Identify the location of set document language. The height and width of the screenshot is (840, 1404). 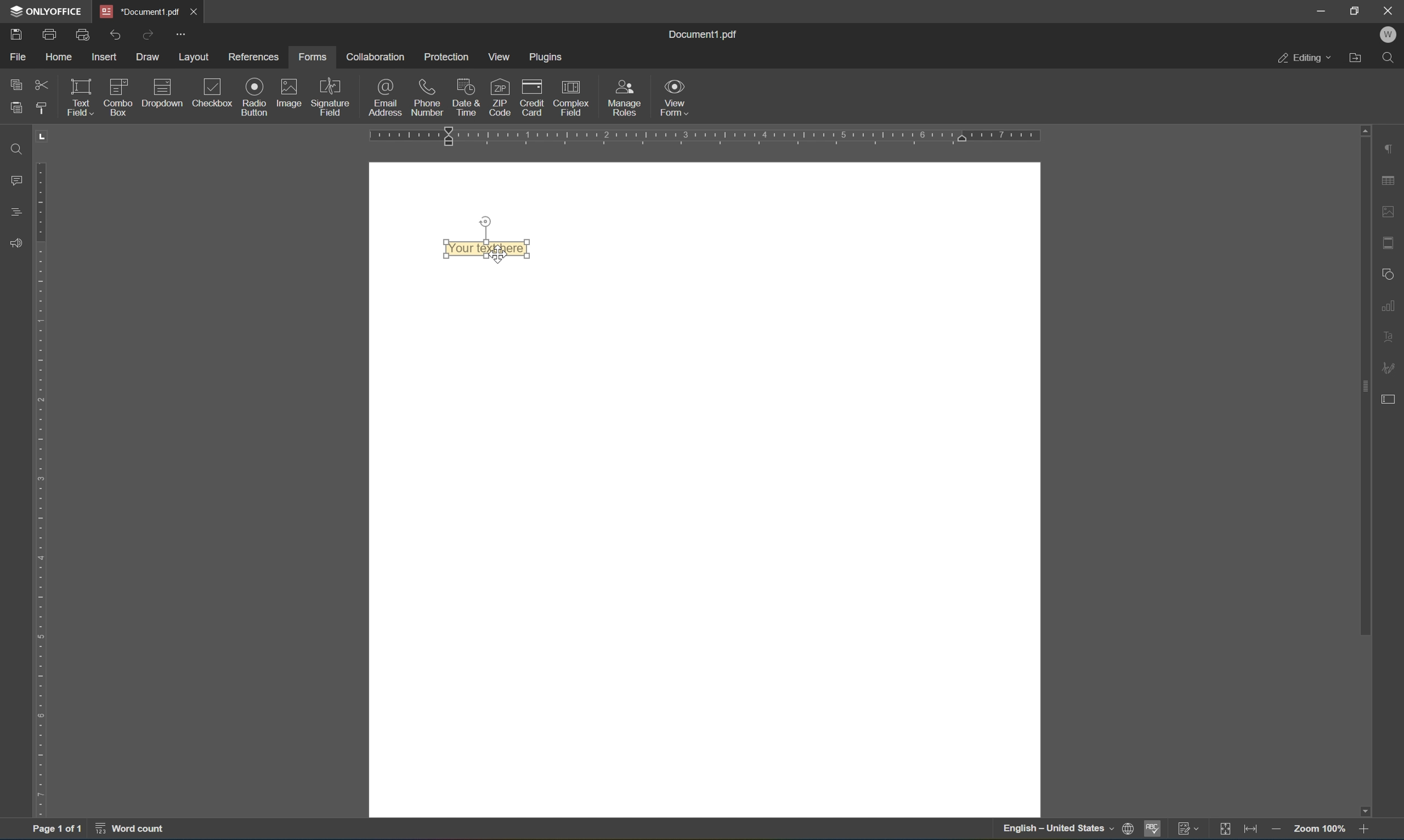
(1067, 830).